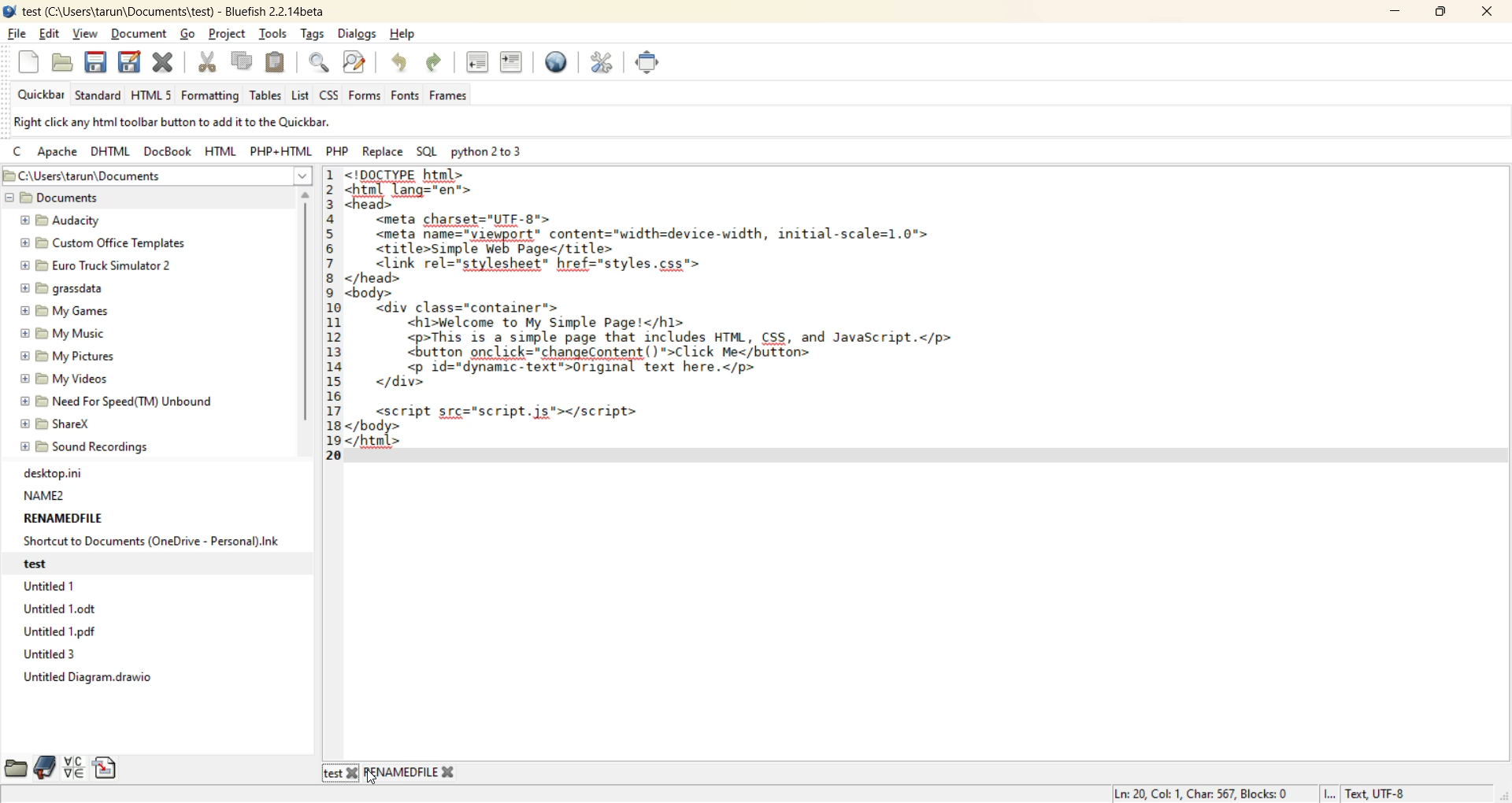 The height and width of the screenshot is (803, 1512). I want to click on find and replace, so click(358, 62).